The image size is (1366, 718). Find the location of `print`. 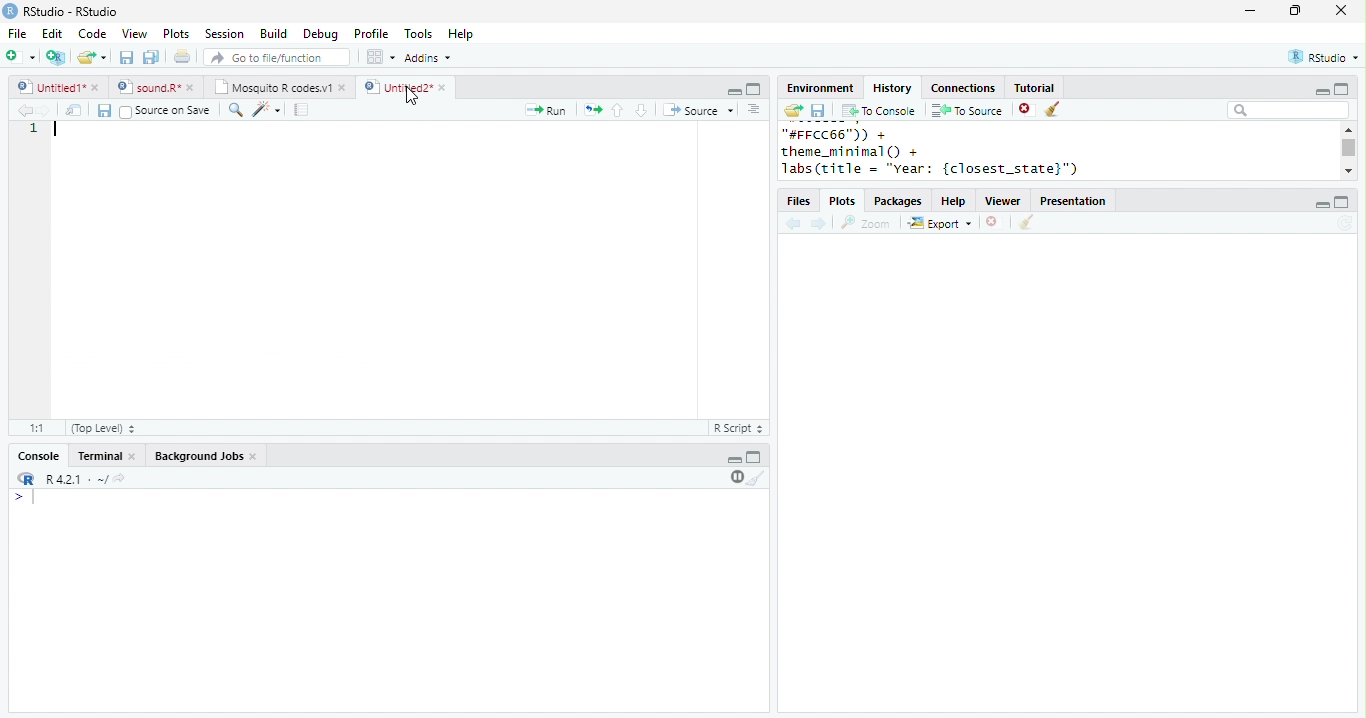

print is located at coordinates (183, 56).